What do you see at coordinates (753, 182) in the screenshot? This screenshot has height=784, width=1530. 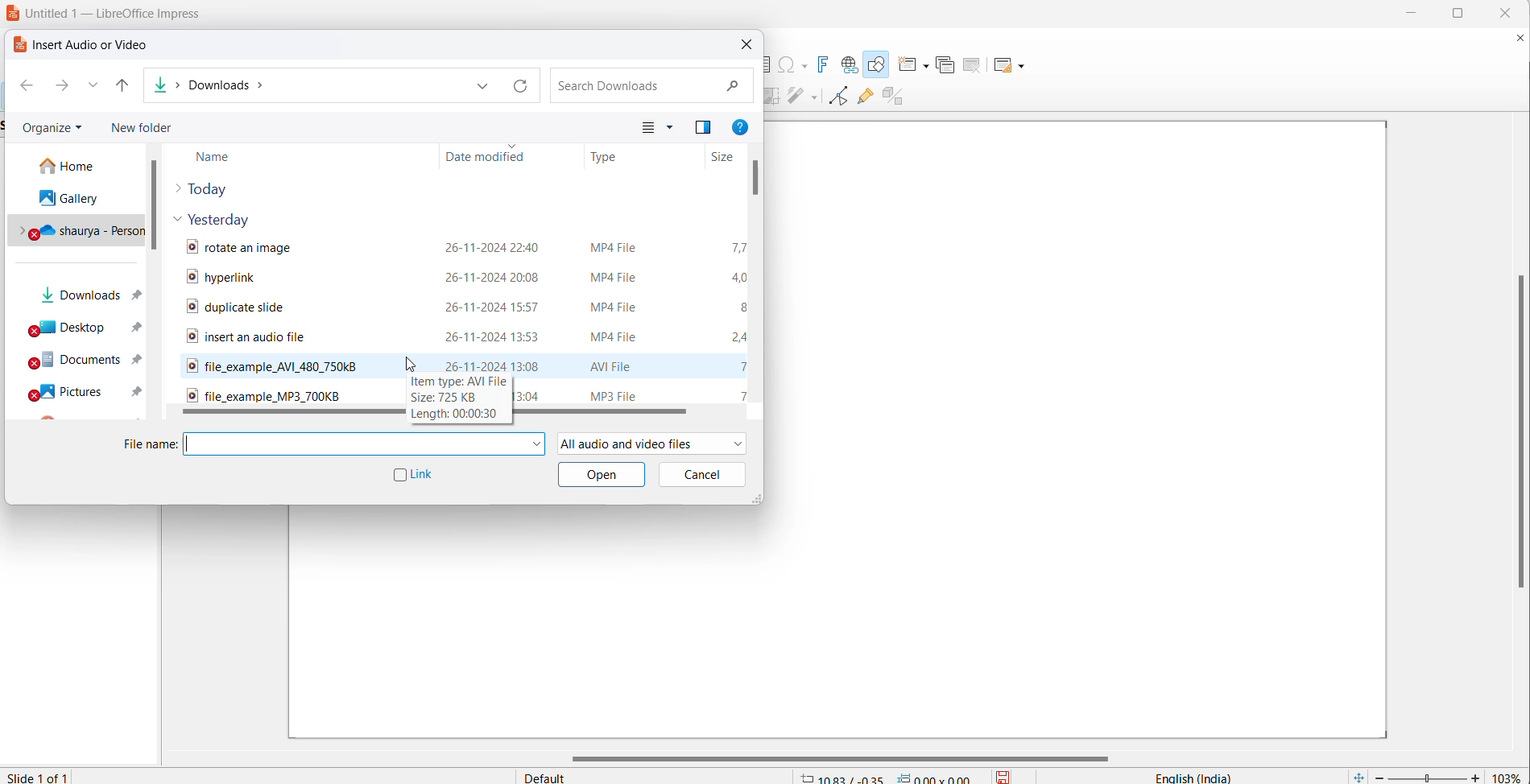 I see `scroll bar` at bounding box center [753, 182].